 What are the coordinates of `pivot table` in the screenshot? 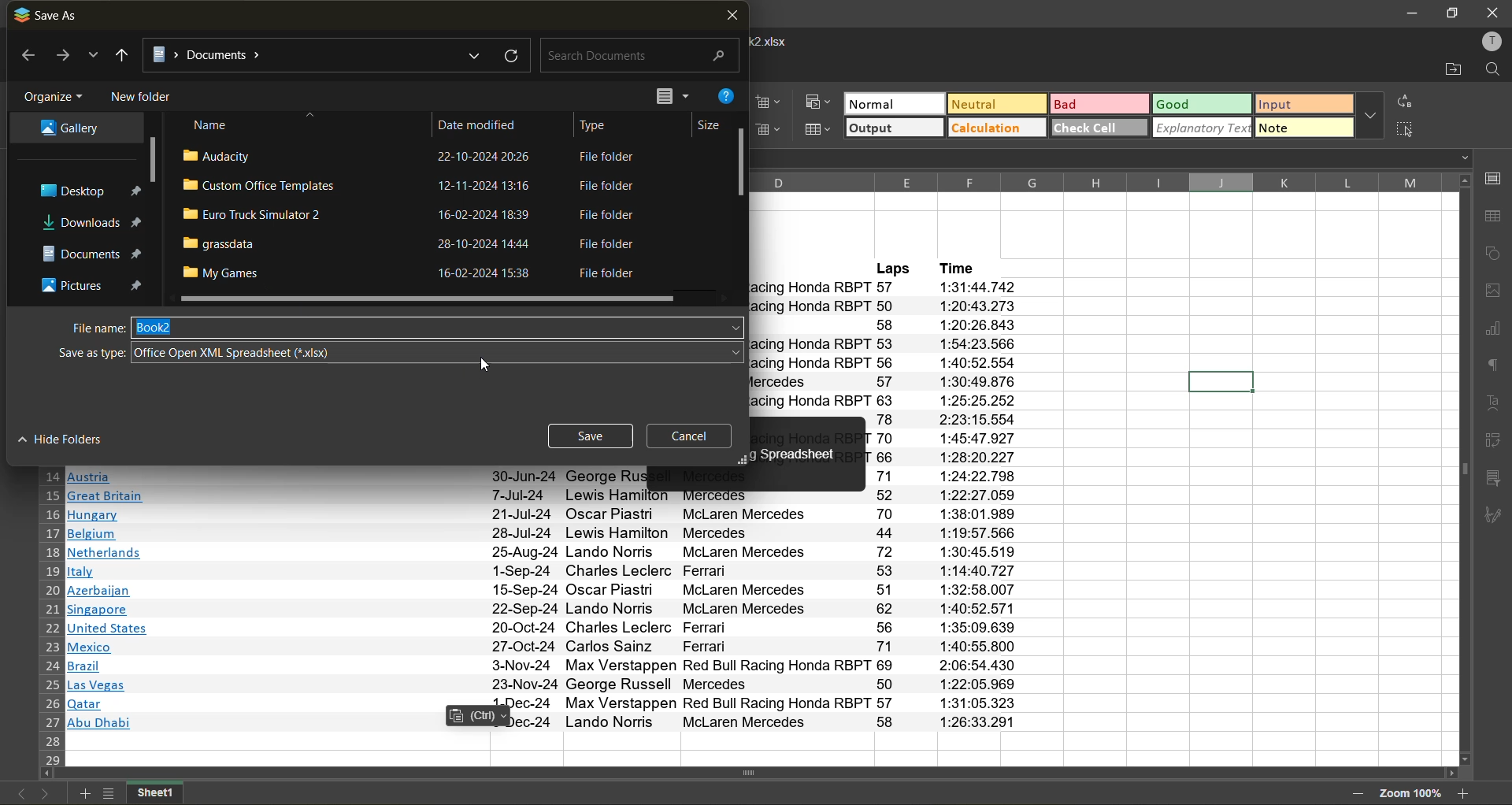 It's located at (1495, 443).